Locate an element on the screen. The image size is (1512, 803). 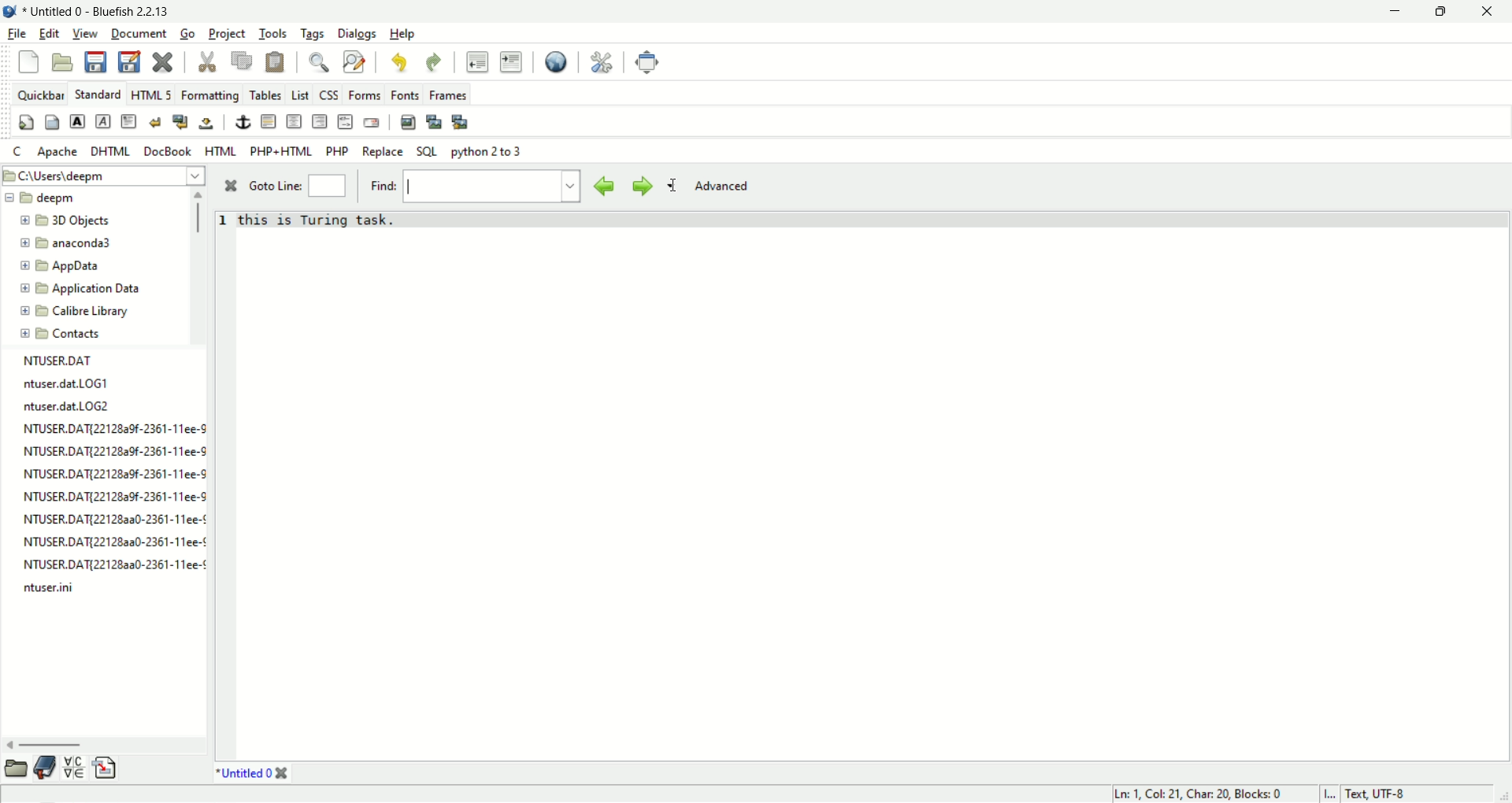
unident is located at coordinates (476, 61).